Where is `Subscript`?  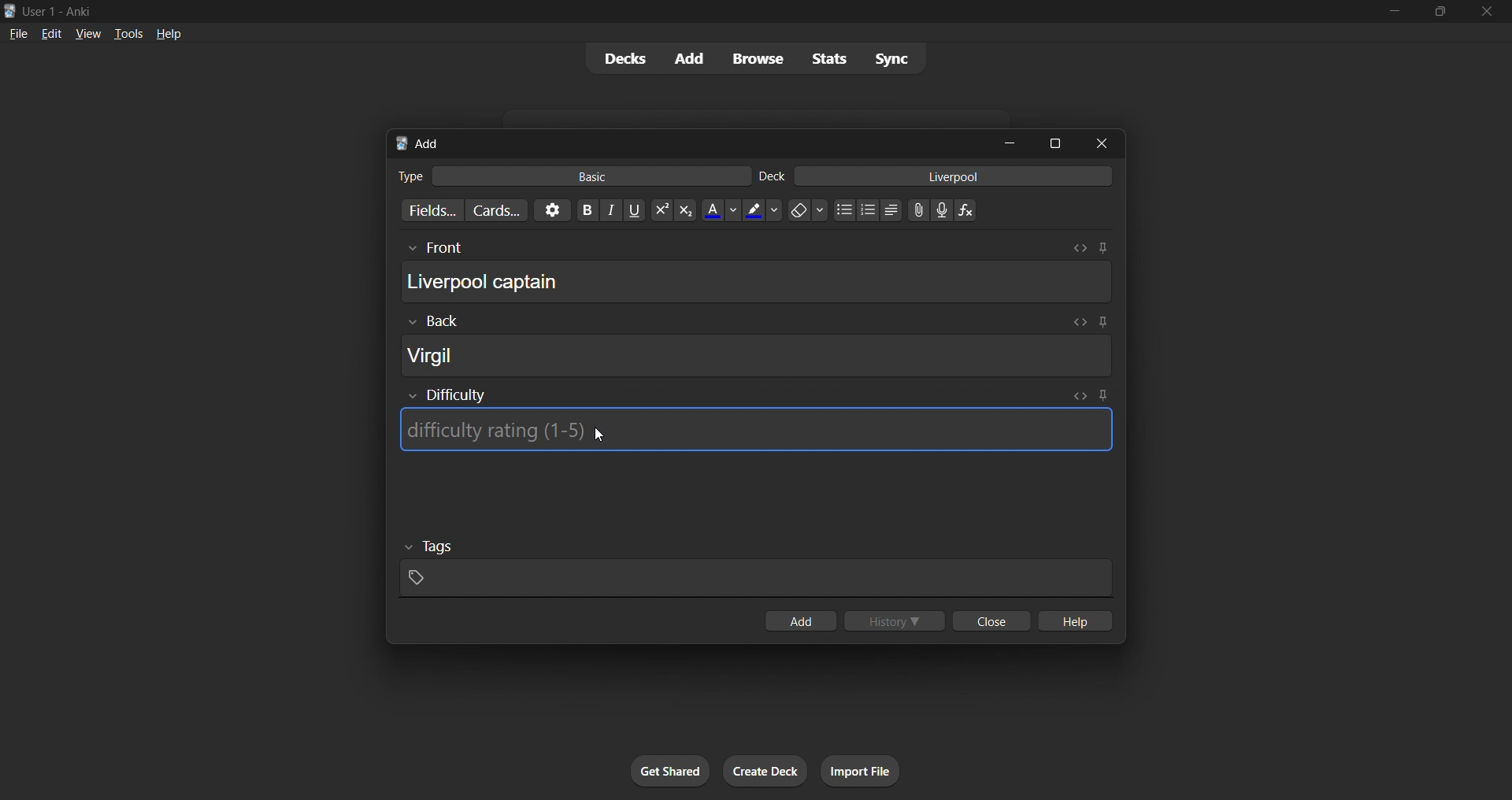 Subscript is located at coordinates (686, 210).